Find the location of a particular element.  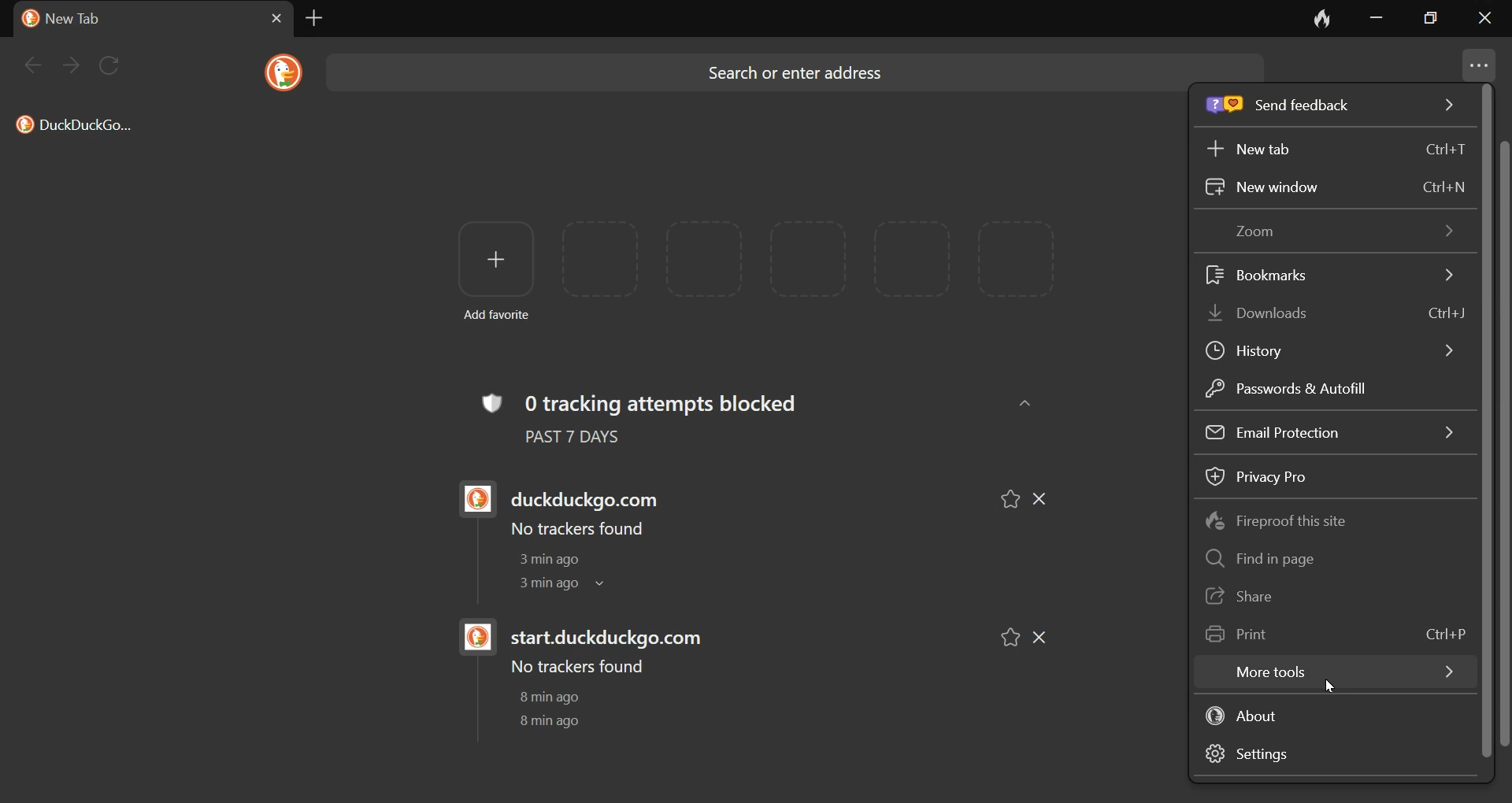

new tab is located at coordinates (311, 20).